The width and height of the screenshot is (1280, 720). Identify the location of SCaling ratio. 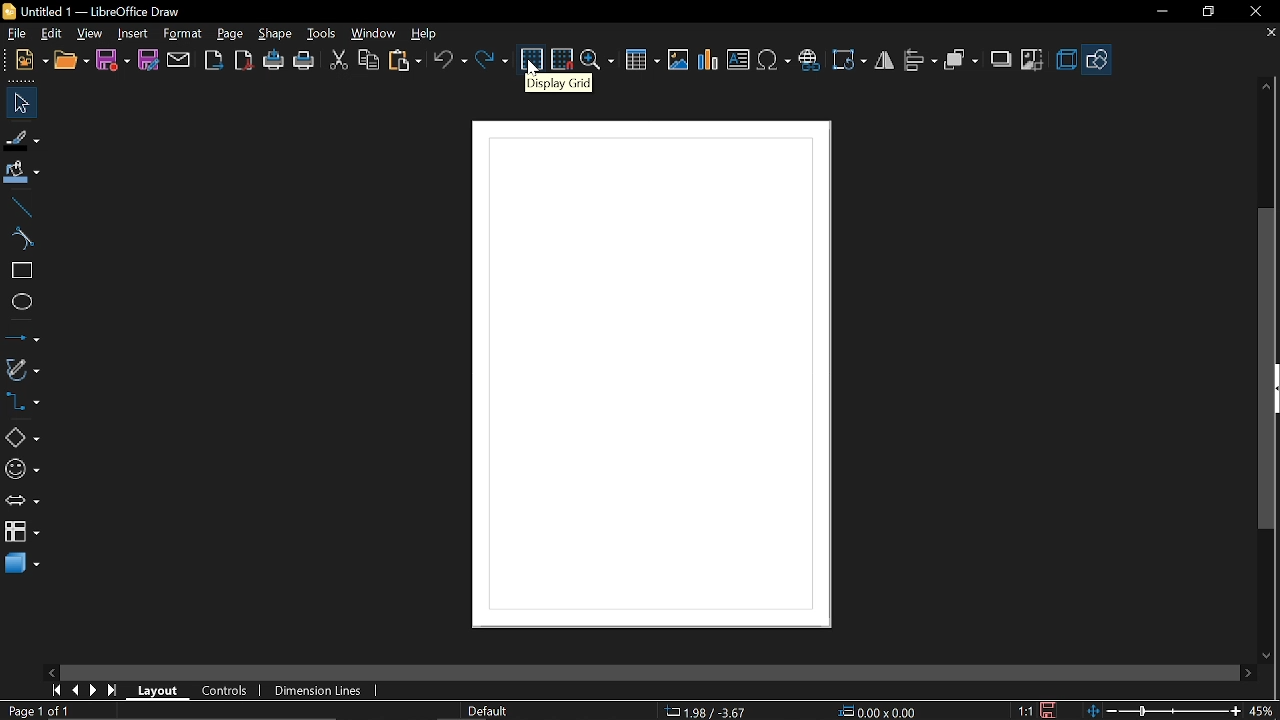
(1025, 710).